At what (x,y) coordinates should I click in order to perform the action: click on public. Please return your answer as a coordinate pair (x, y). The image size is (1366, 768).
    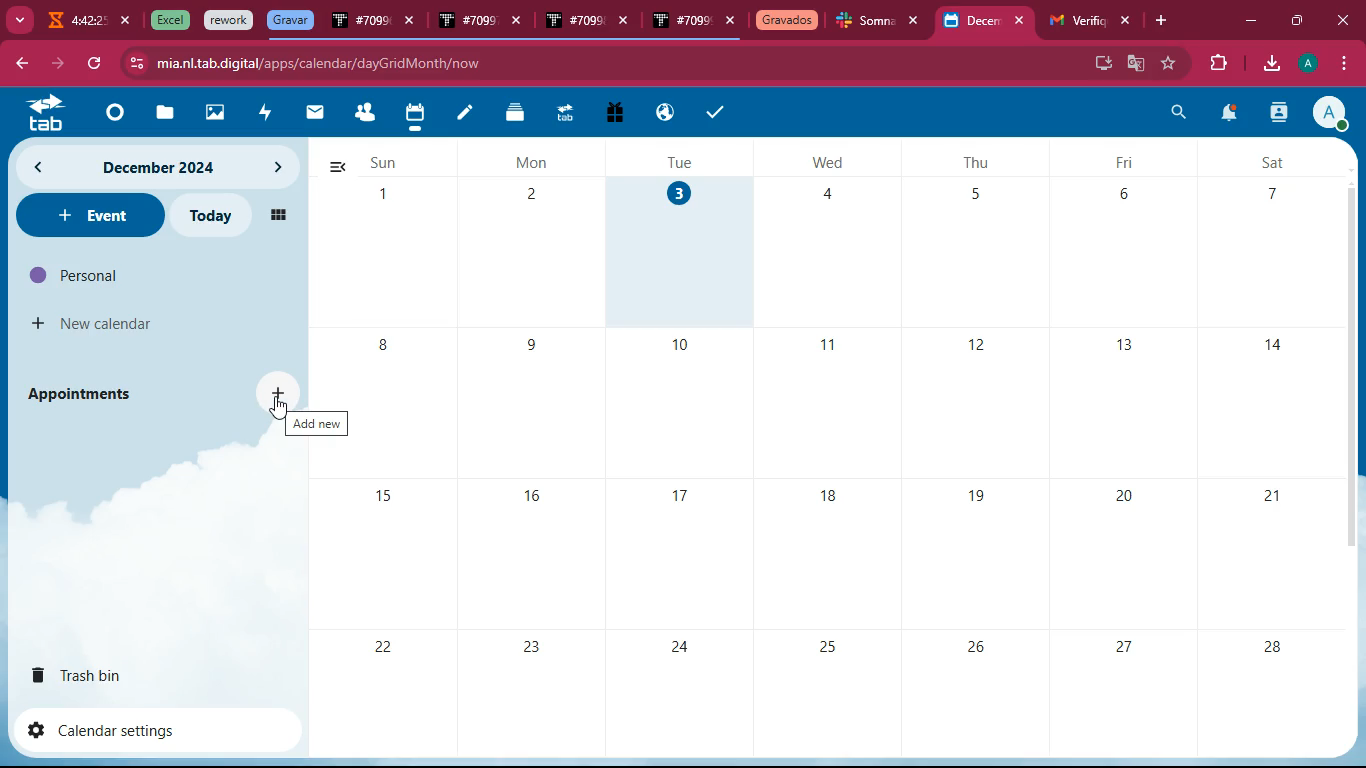
    Looking at the image, I should click on (666, 113).